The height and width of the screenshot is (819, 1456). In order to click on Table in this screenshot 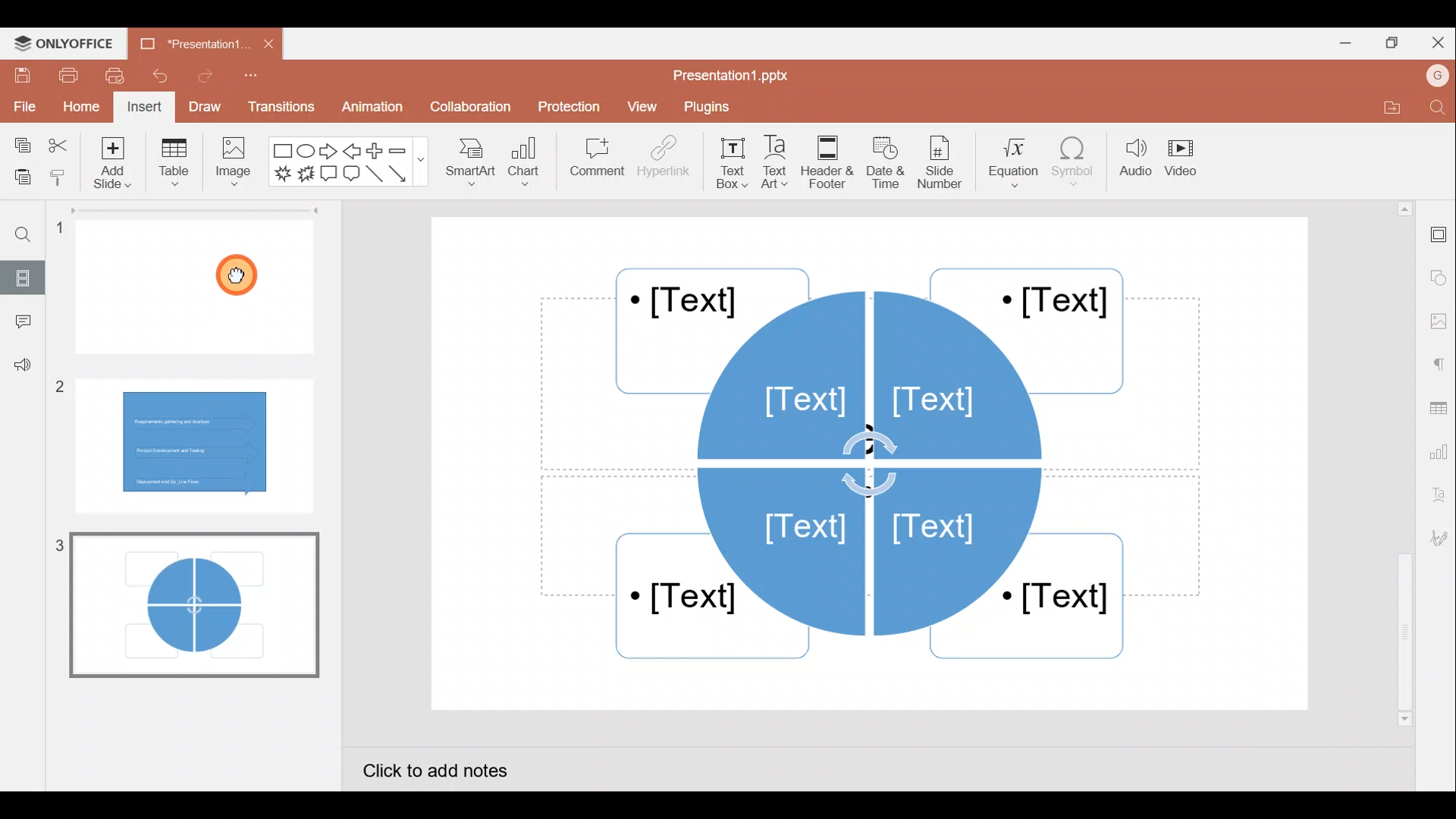, I will do `click(174, 165)`.